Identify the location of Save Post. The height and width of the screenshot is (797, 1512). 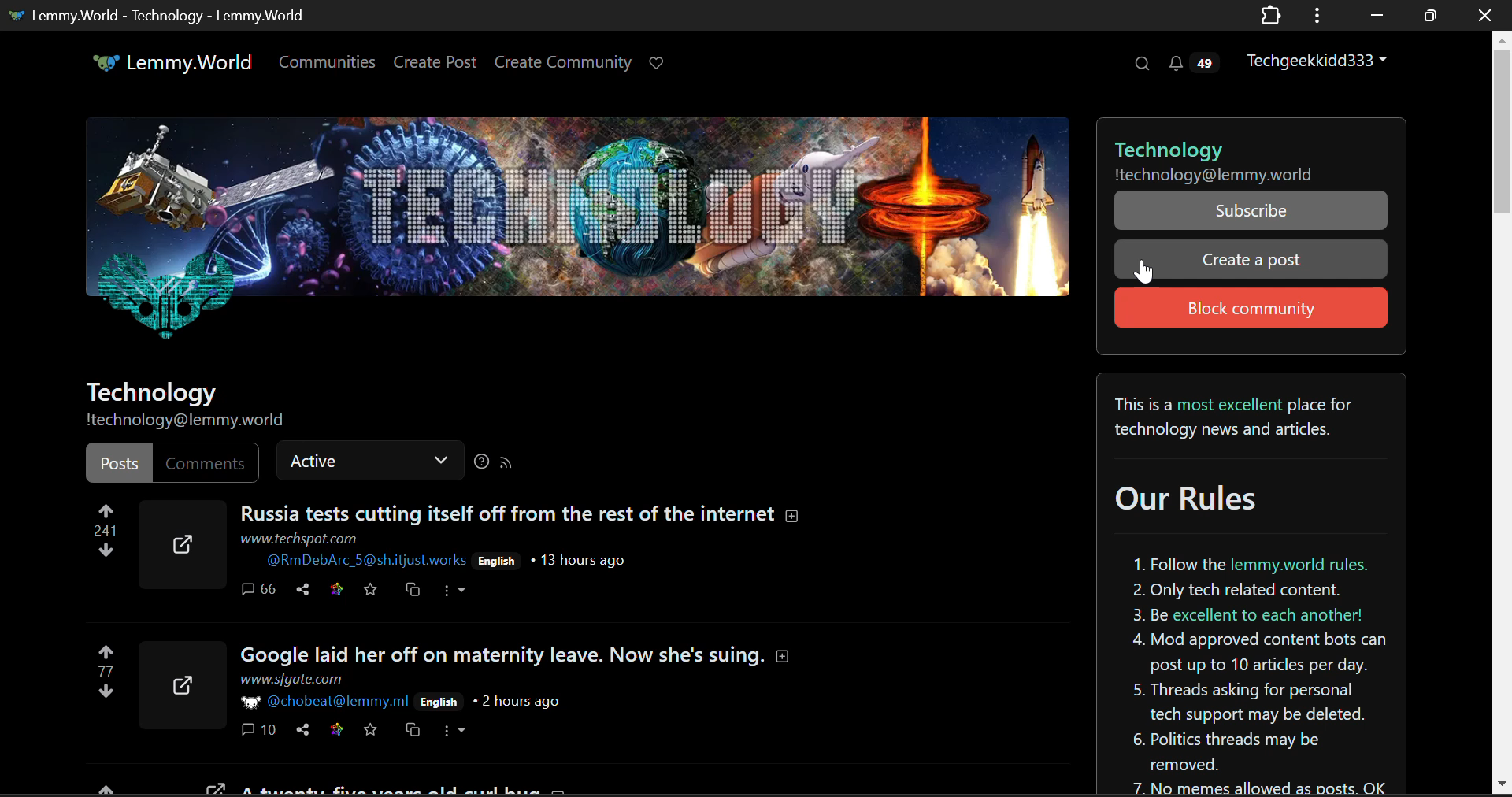
(370, 590).